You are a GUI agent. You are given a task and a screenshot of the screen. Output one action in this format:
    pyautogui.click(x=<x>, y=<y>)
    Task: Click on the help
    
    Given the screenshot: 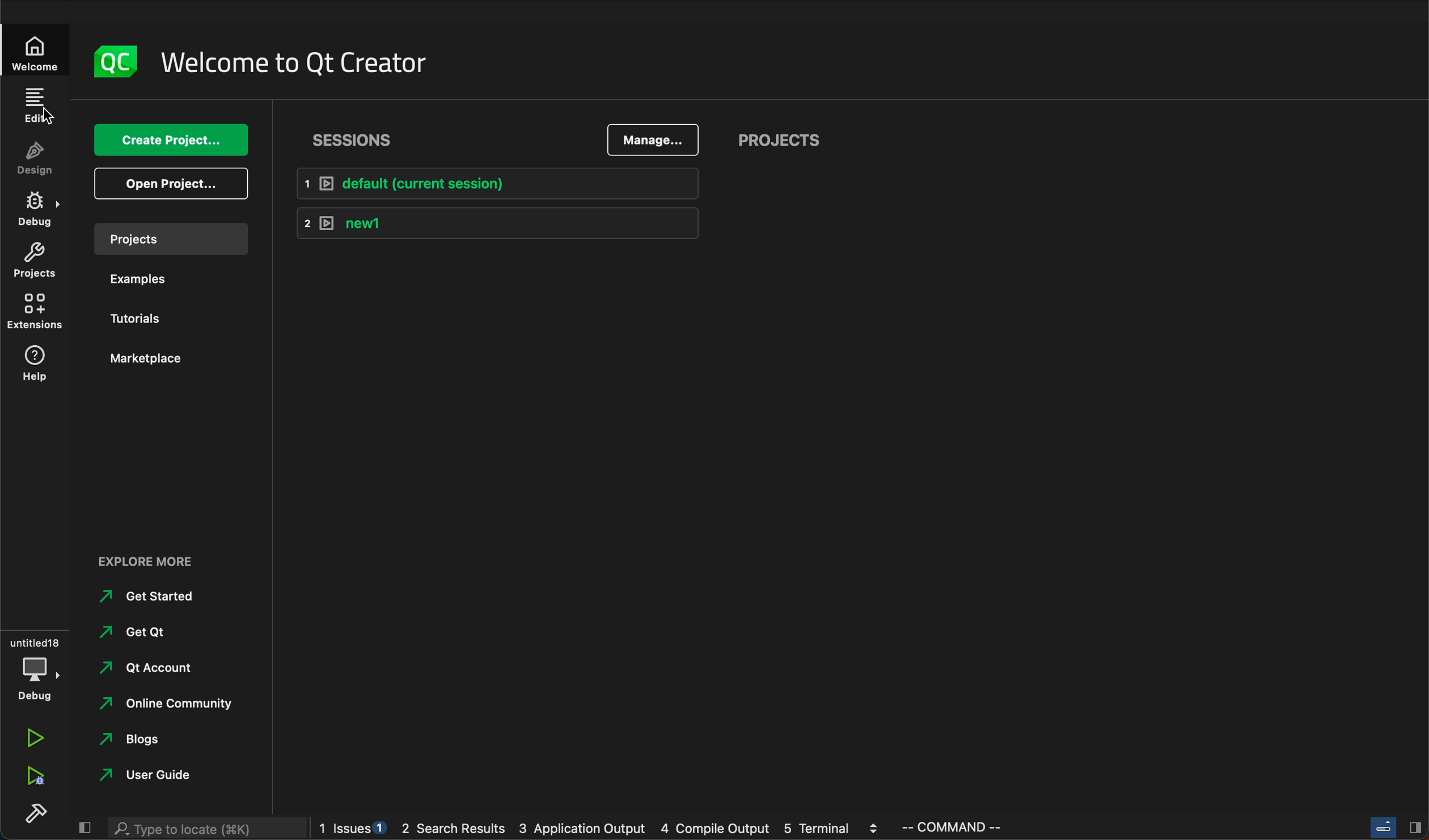 What is the action you would take?
    pyautogui.click(x=41, y=363)
    